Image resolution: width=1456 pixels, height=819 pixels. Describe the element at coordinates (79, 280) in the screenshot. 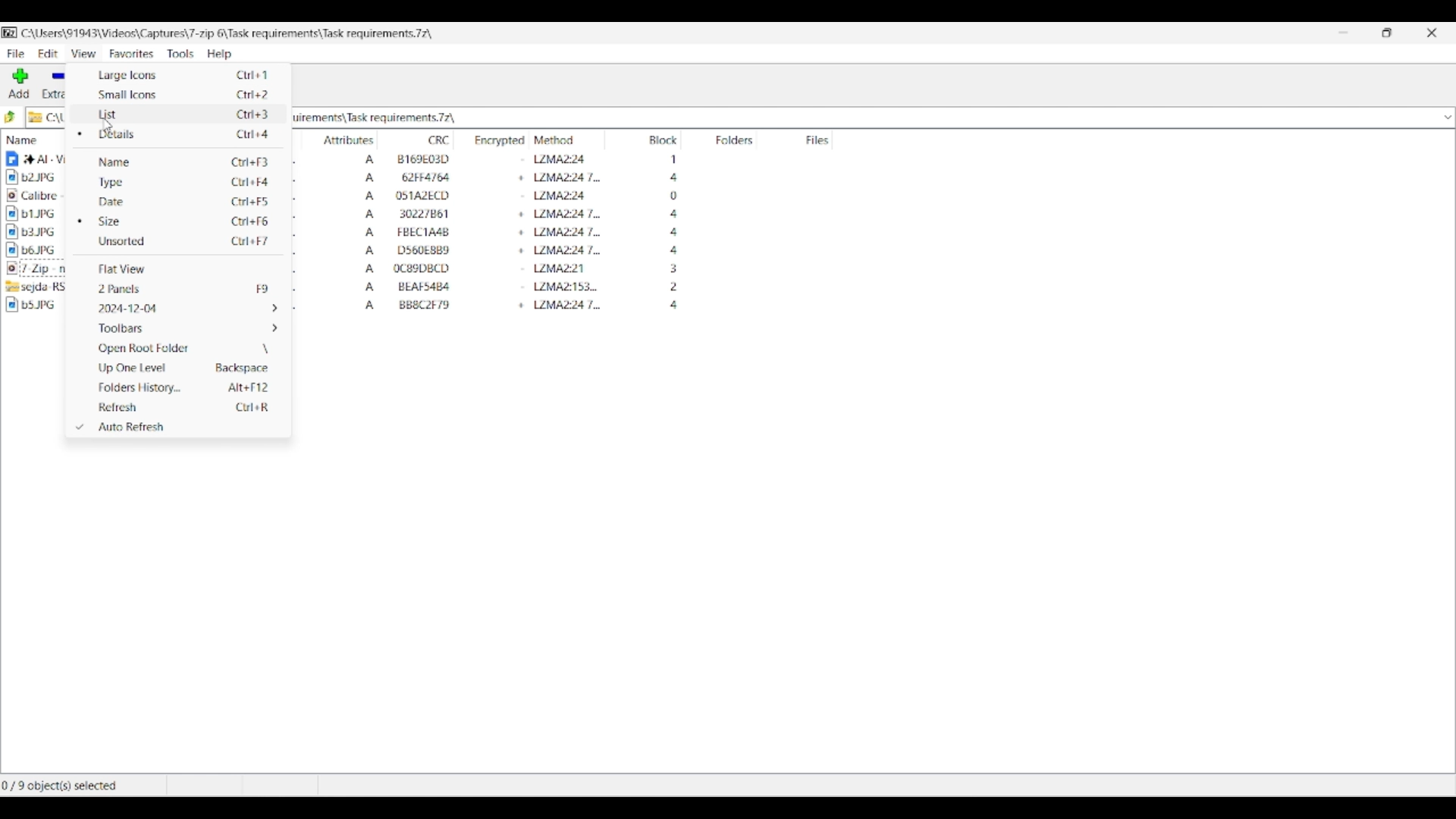

I see `Selected options` at that location.